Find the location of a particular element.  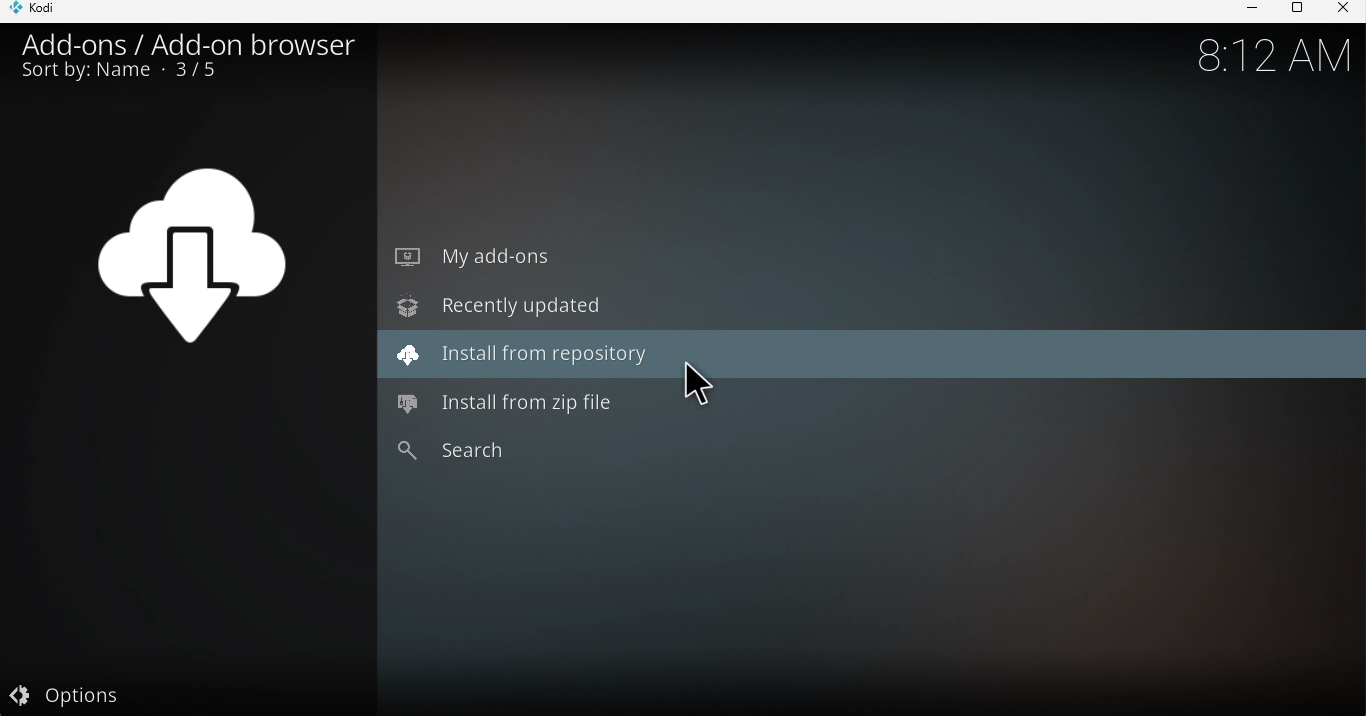

Close is located at coordinates (1342, 11).